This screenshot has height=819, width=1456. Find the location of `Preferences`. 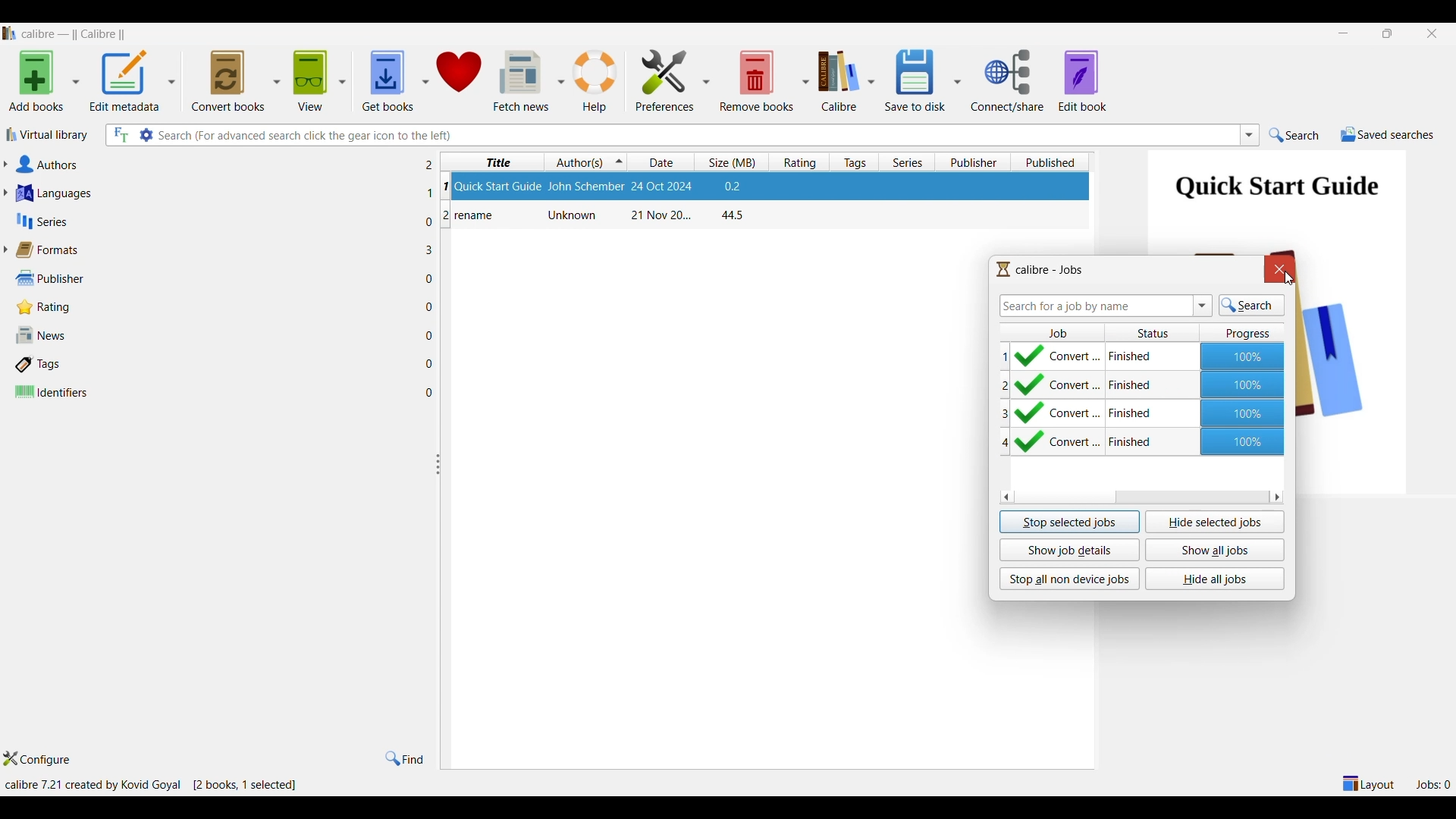

Preferences is located at coordinates (665, 81).